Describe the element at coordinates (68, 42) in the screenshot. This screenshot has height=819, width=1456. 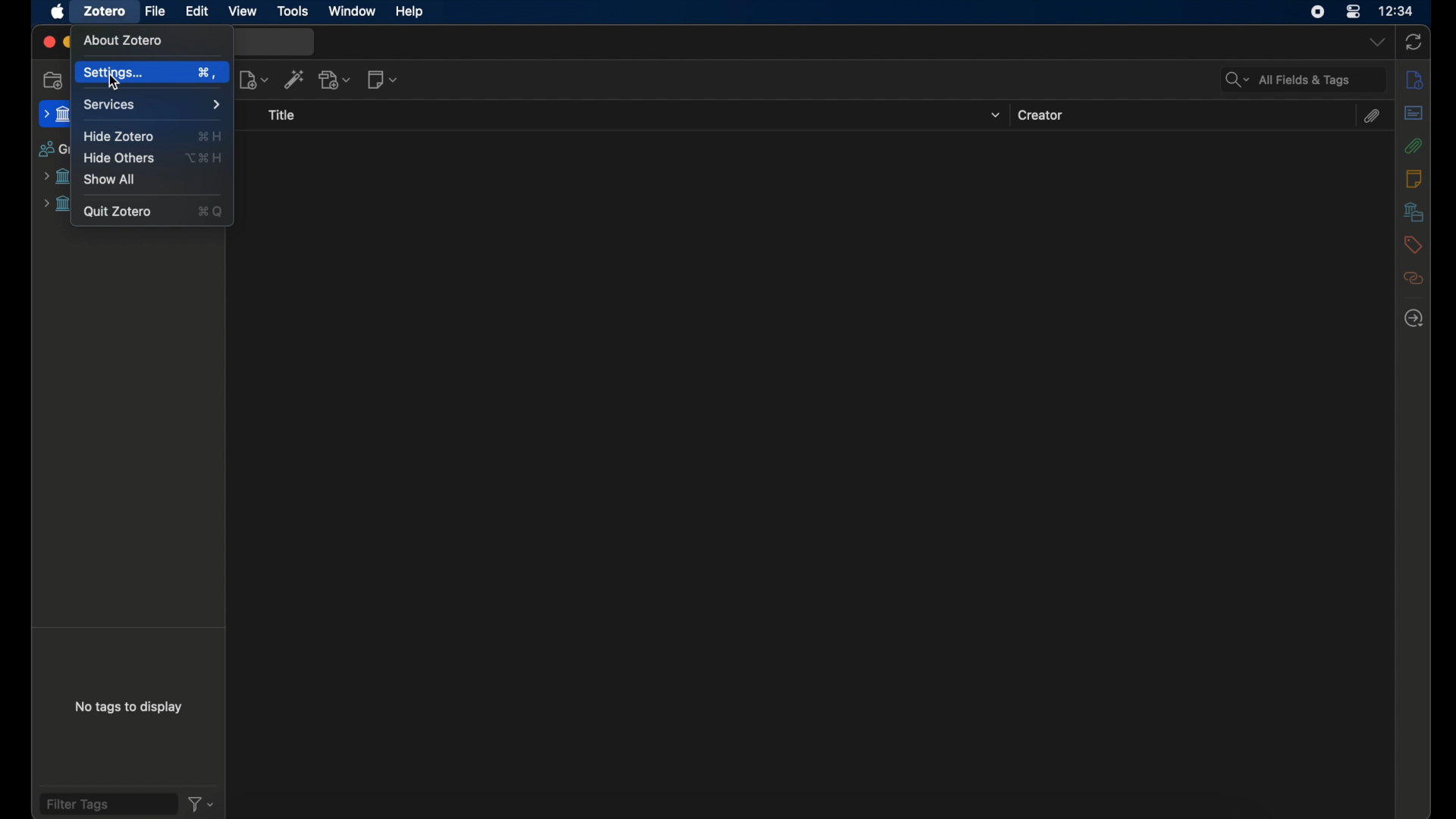
I see `minimize` at that location.